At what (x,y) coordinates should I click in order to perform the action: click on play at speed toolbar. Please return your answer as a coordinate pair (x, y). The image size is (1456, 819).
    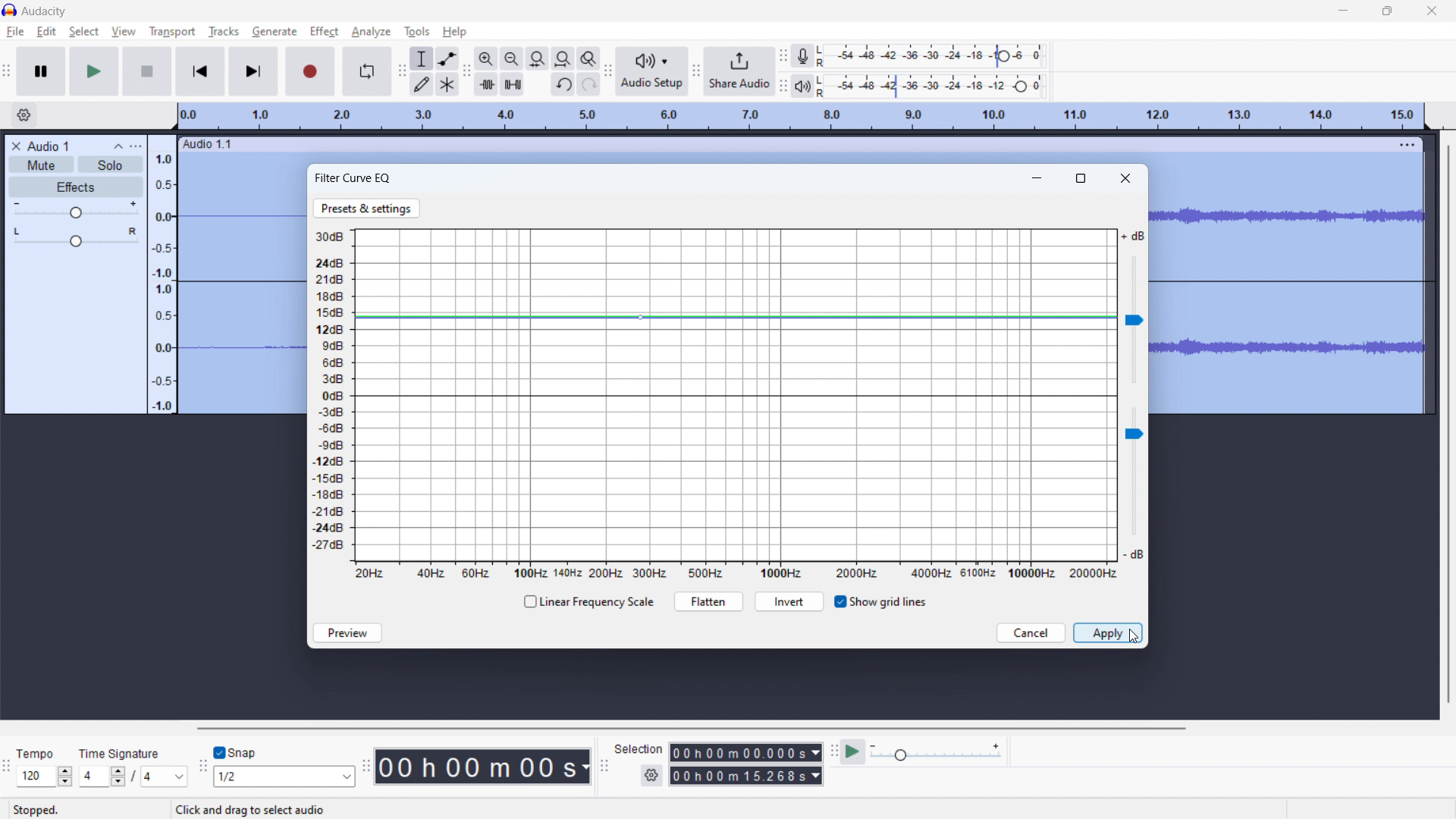
    Looking at the image, I should click on (833, 752).